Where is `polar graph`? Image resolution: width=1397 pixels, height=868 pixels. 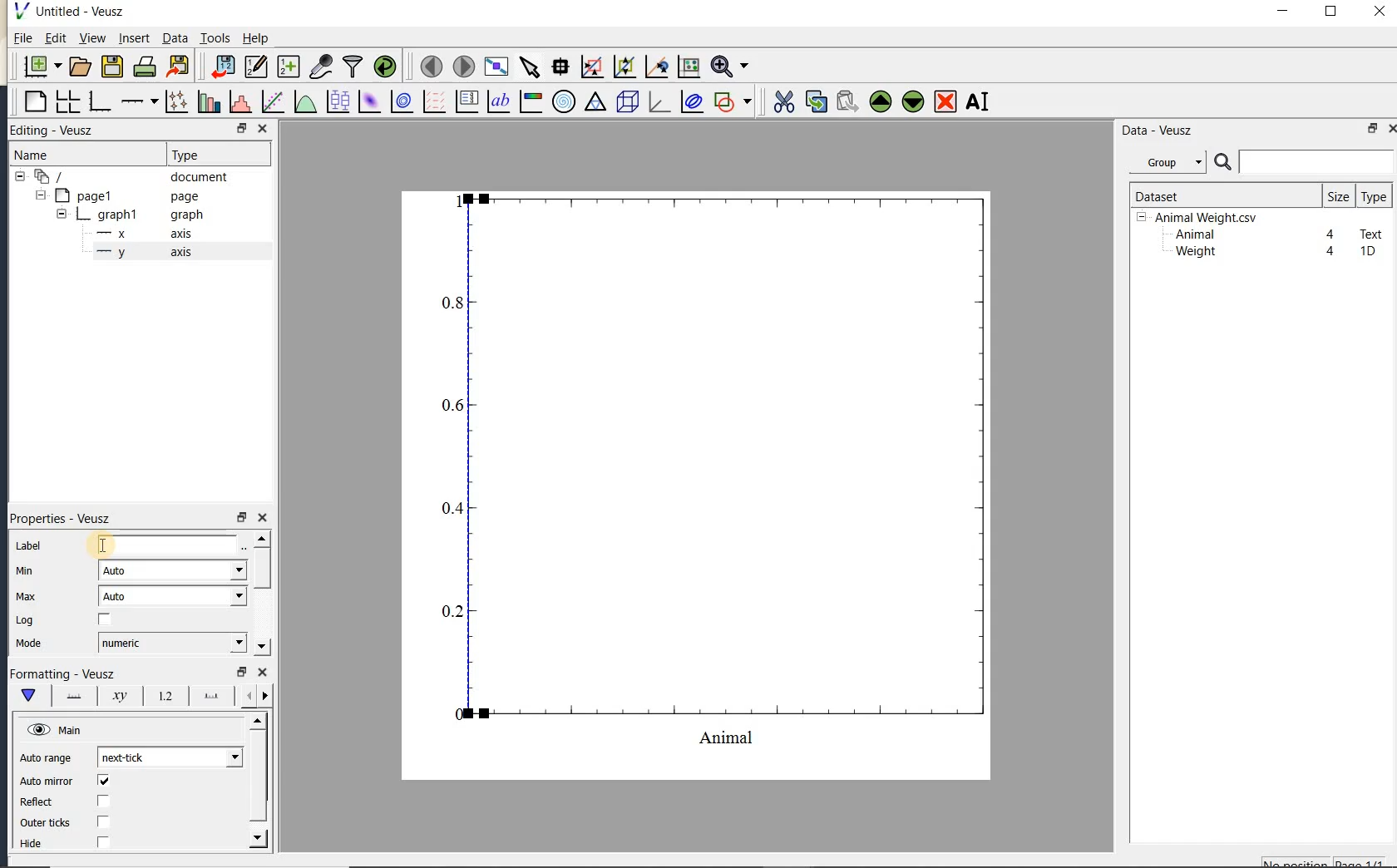
polar graph is located at coordinates (563, 101).